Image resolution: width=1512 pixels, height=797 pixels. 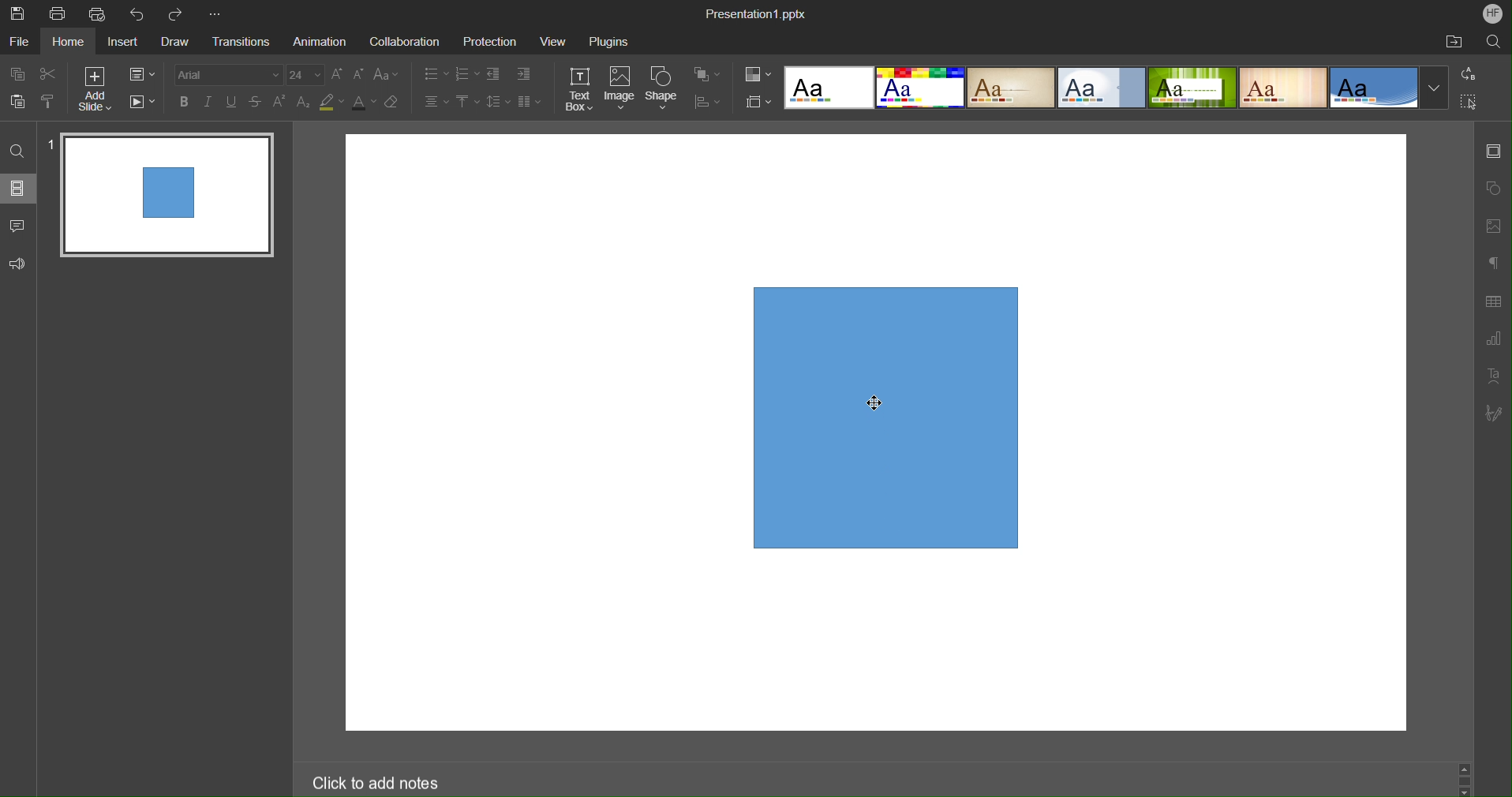 I want to click on Copy, so click(x=17, y=74).